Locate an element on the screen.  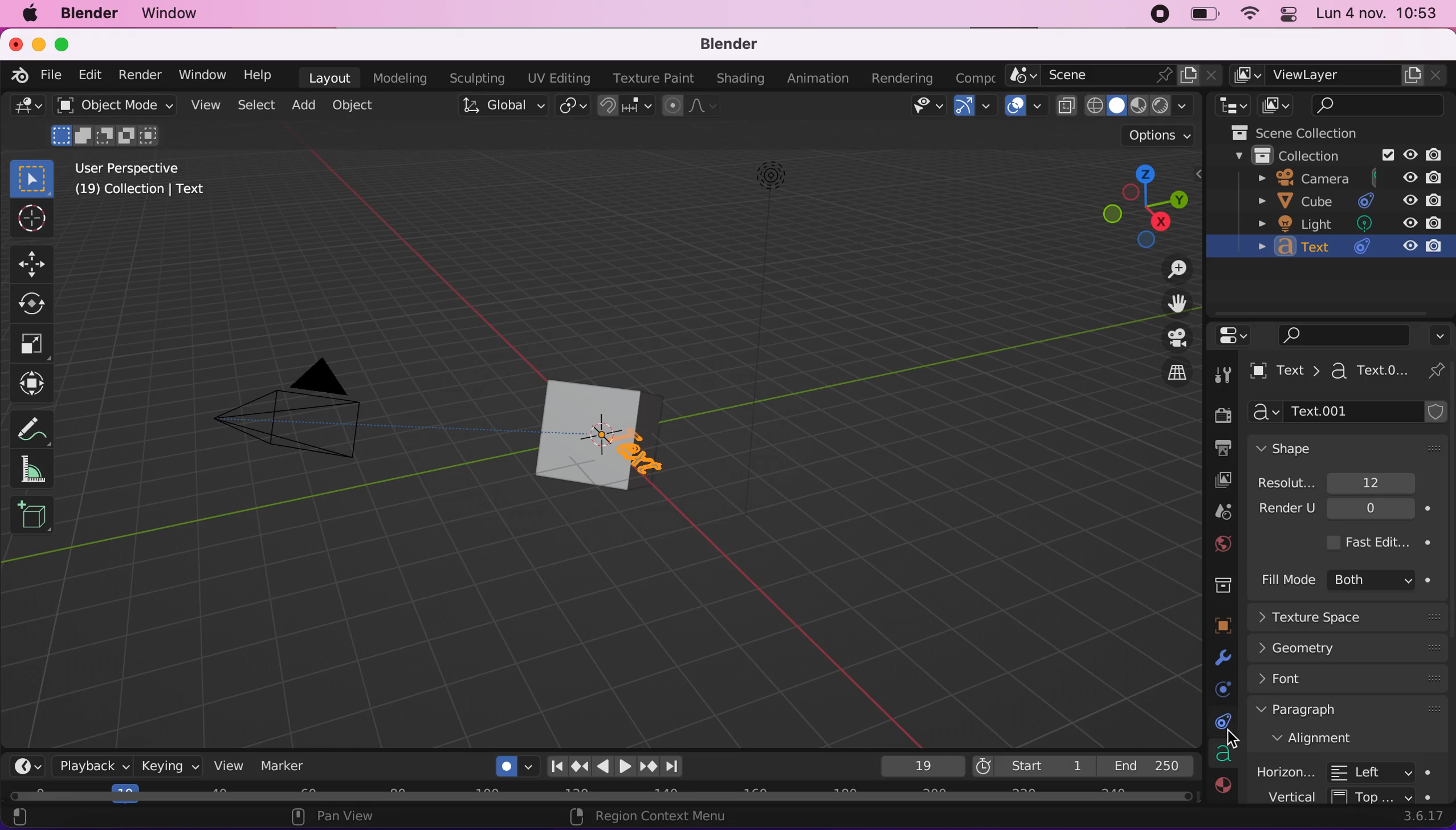
editor type is located at coordinates (1238, 335).